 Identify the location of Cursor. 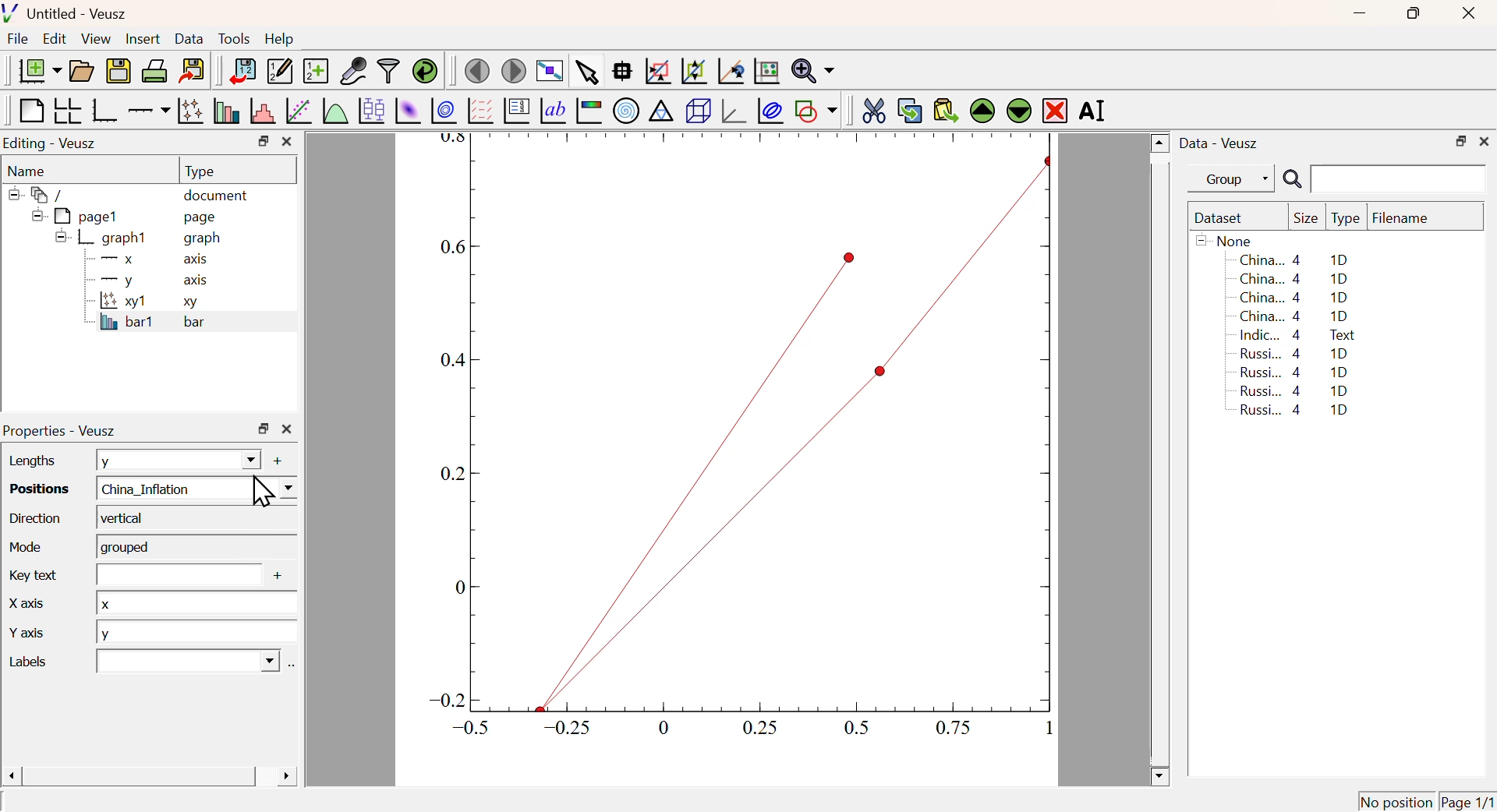
(262, 492).